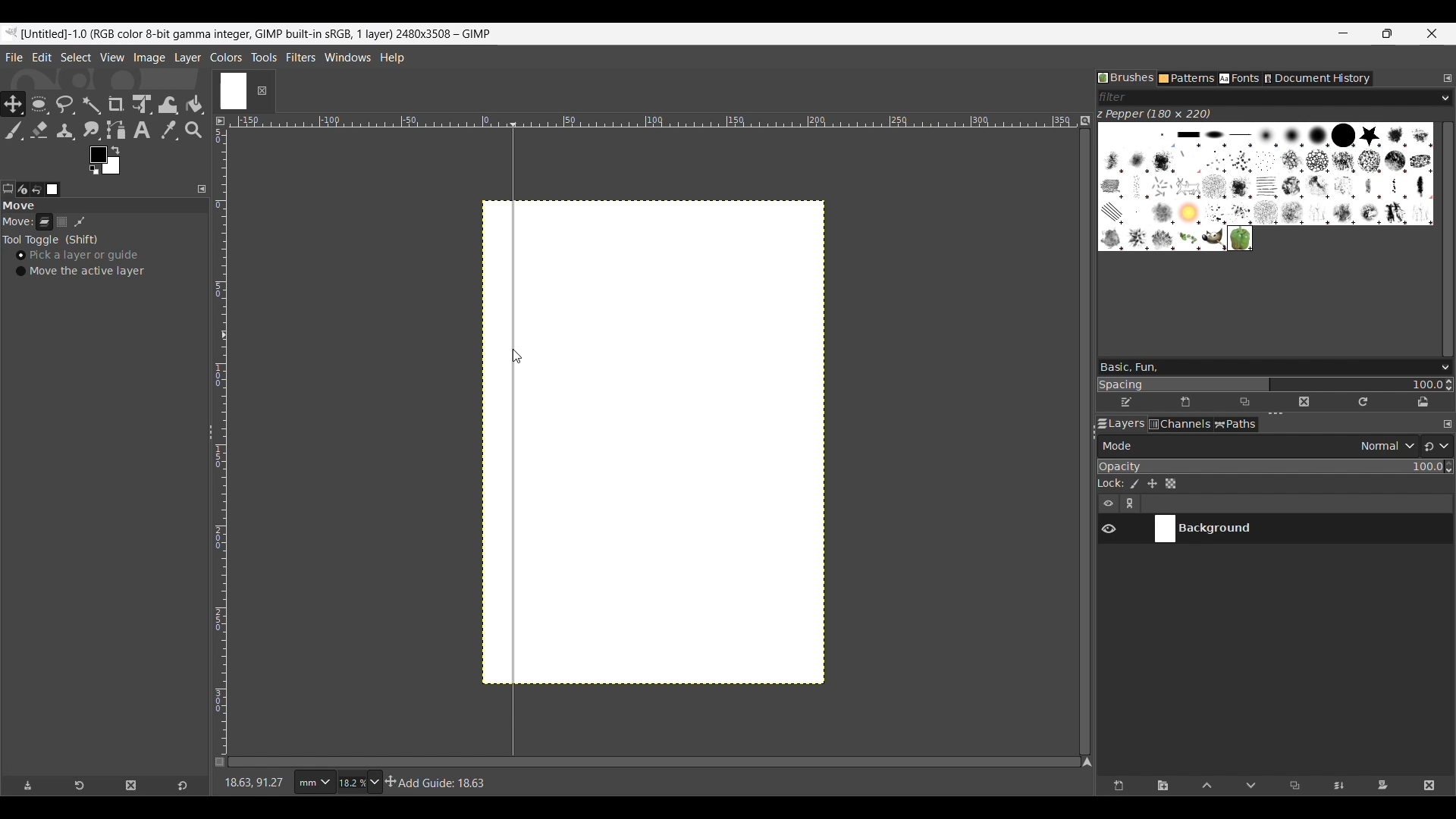 Image resolution: width=1456 pixels, height=819 pixels. Describe the element at coordinates (80, 786) in the screenshot. I see `Restore tool preset` at that location.